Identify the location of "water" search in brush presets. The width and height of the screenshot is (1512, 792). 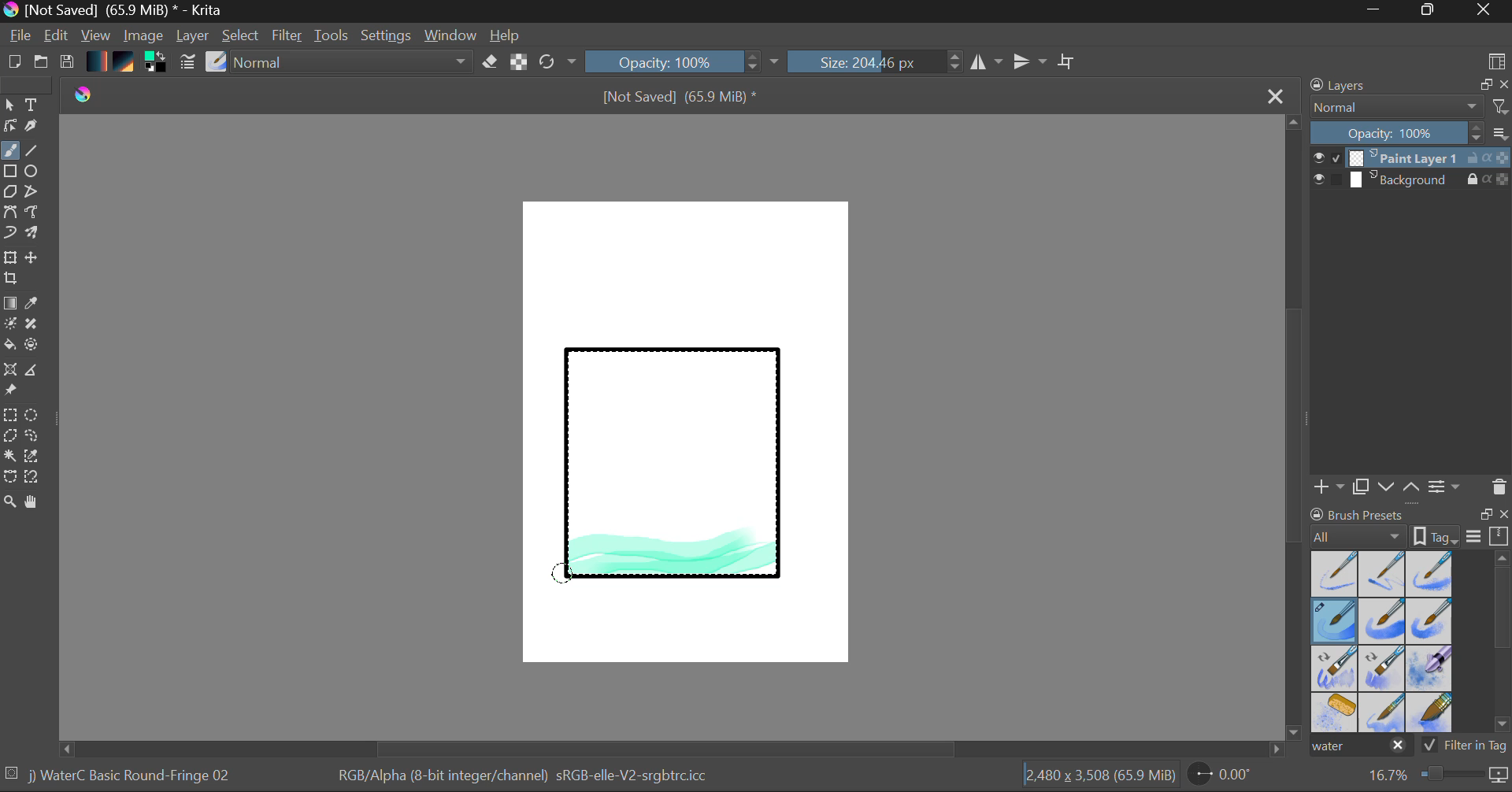
(1359, 749).